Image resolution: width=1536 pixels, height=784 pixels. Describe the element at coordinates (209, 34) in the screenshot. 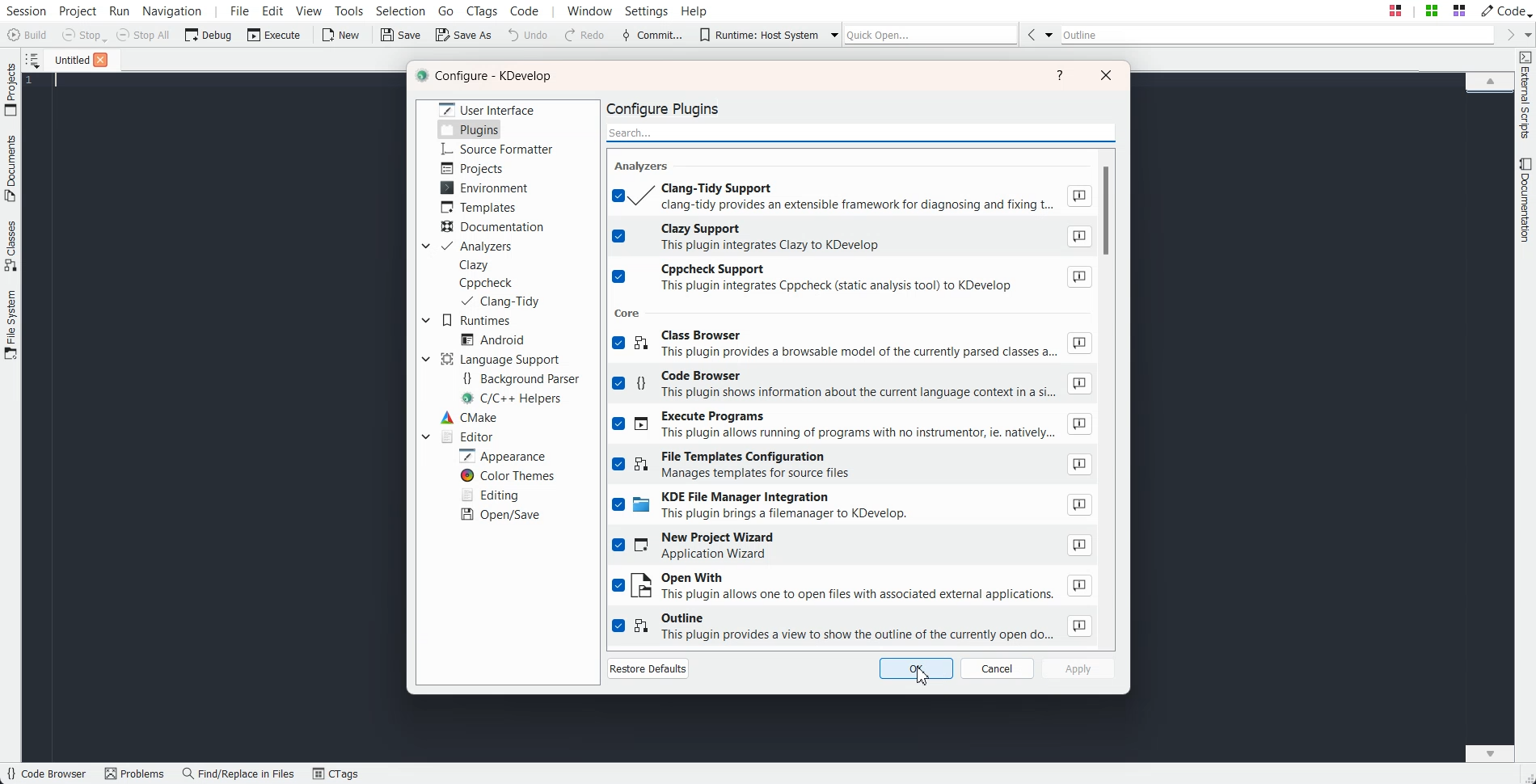

I see `Debug` at that location.